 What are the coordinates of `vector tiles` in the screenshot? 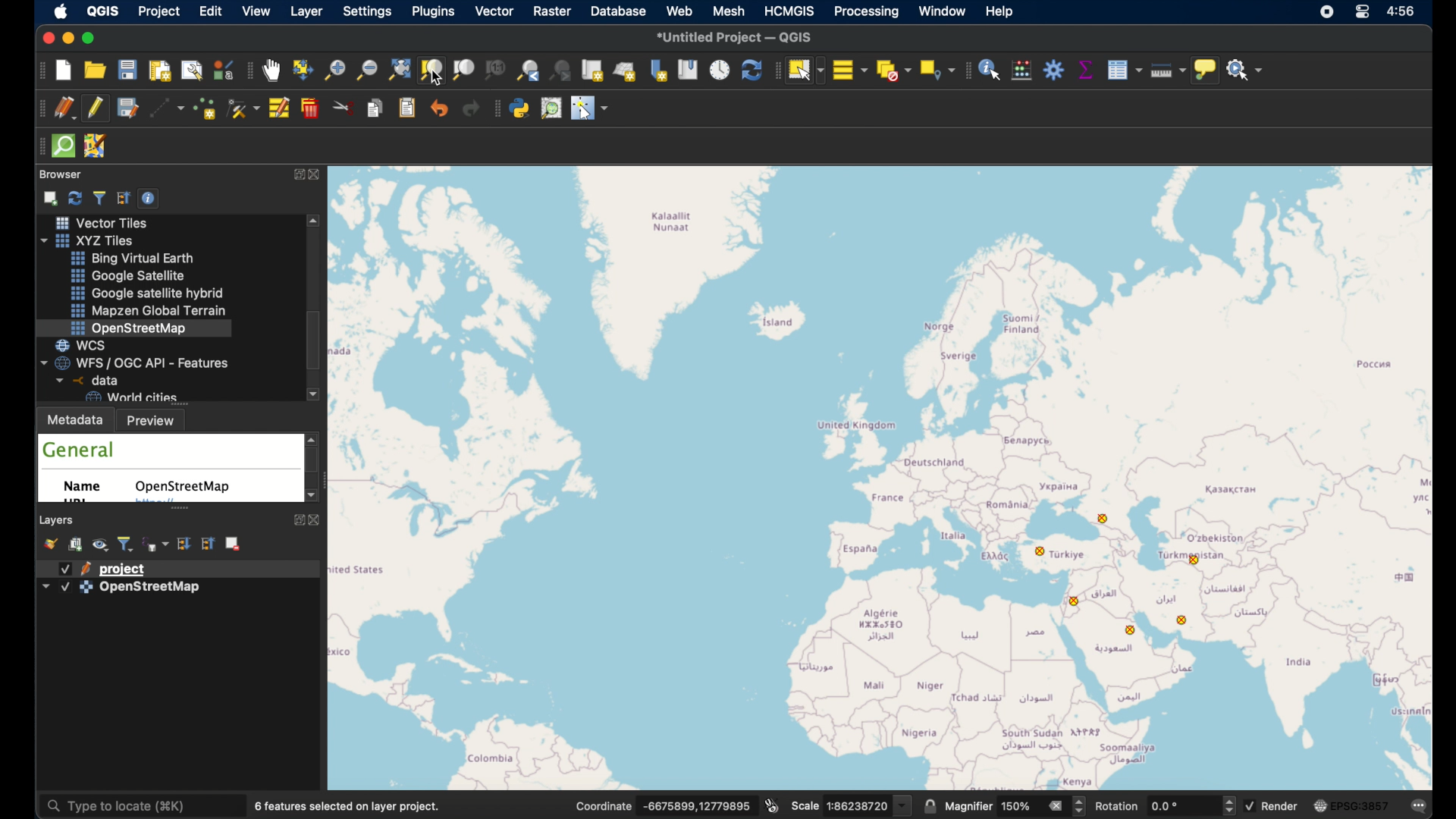 It's located at (99, 222).